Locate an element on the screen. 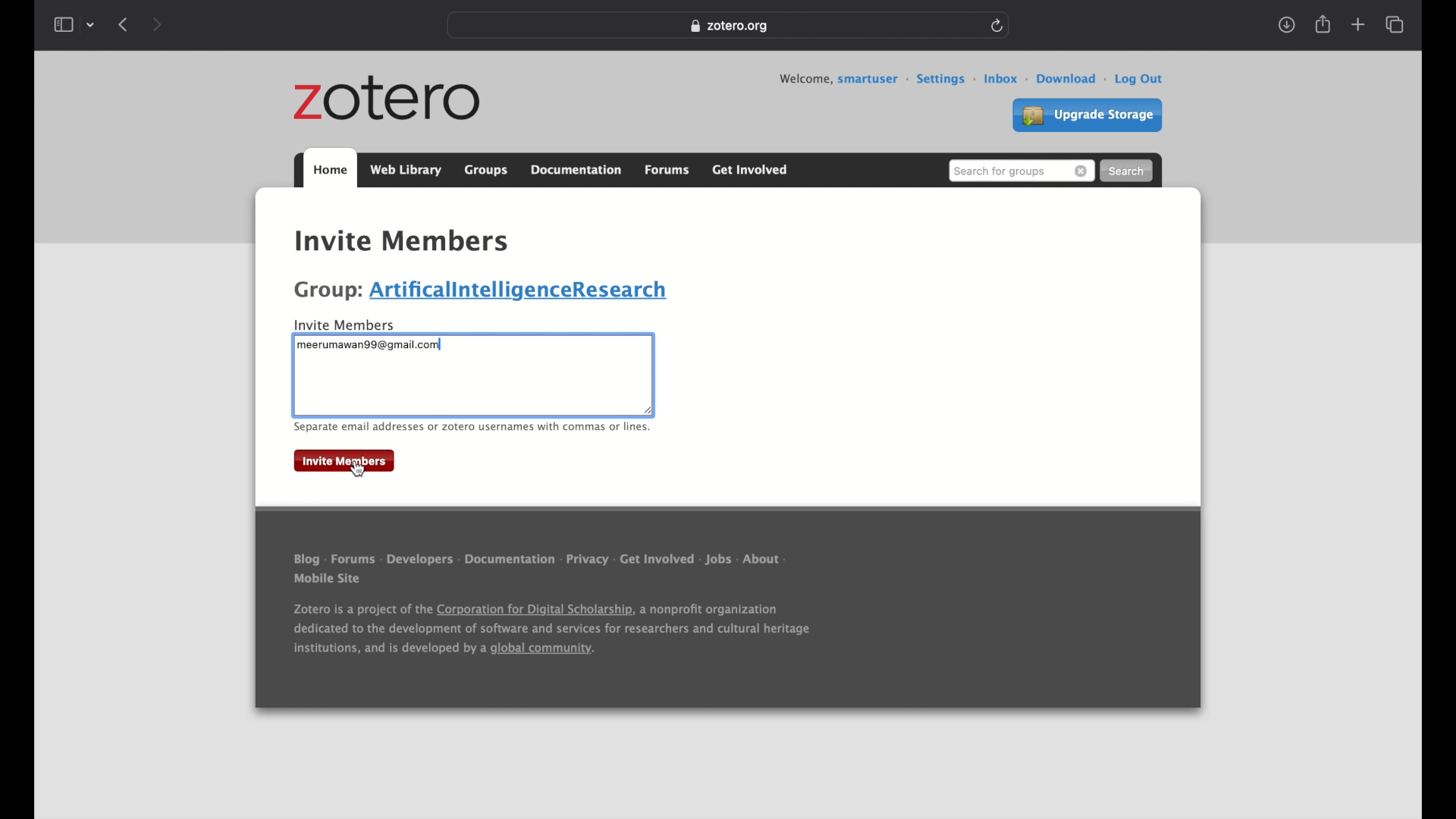  new tab is located at coordinates (1357, 25).